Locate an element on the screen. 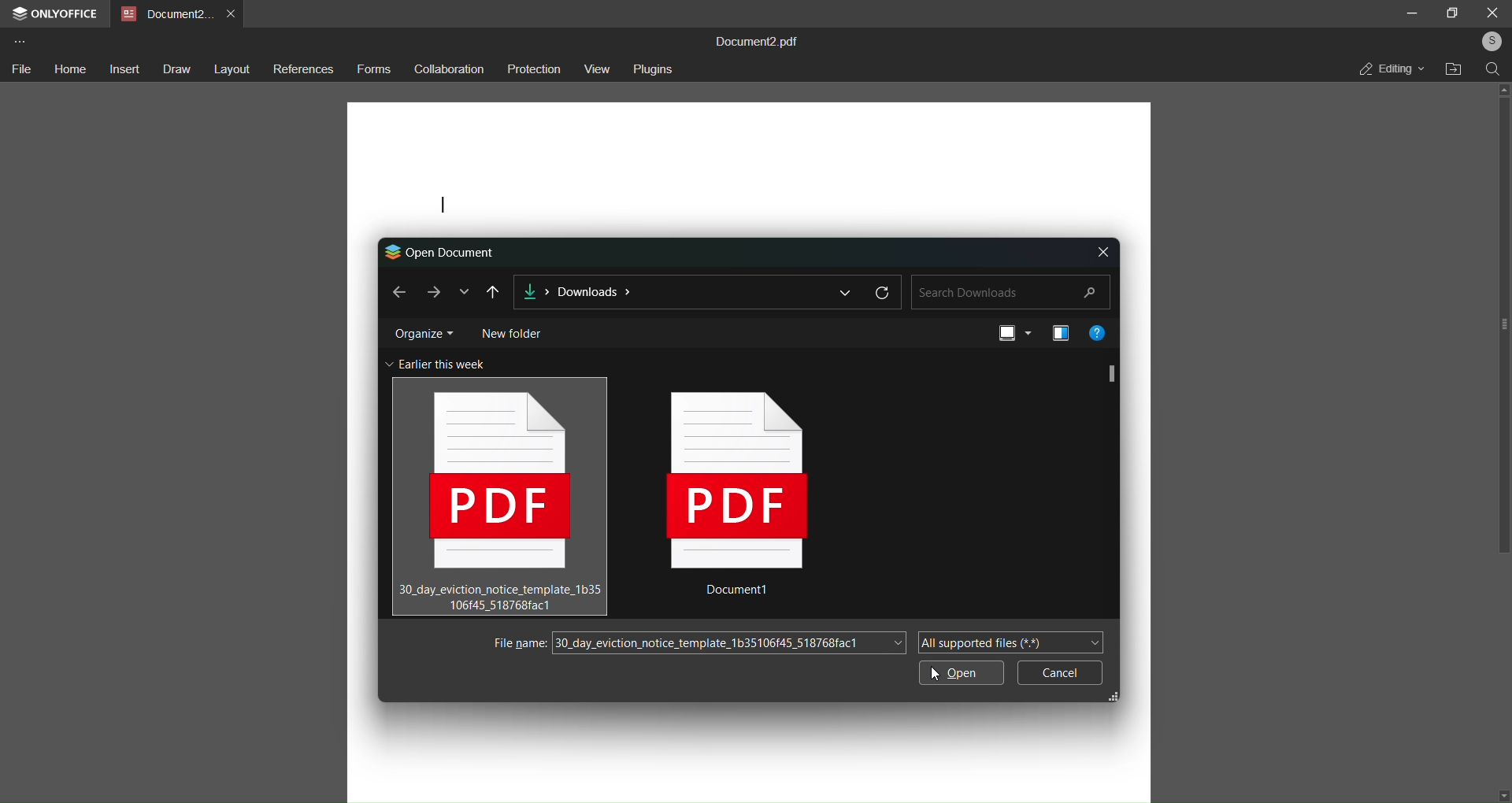  text cursor is located at coordinates (443, 206).